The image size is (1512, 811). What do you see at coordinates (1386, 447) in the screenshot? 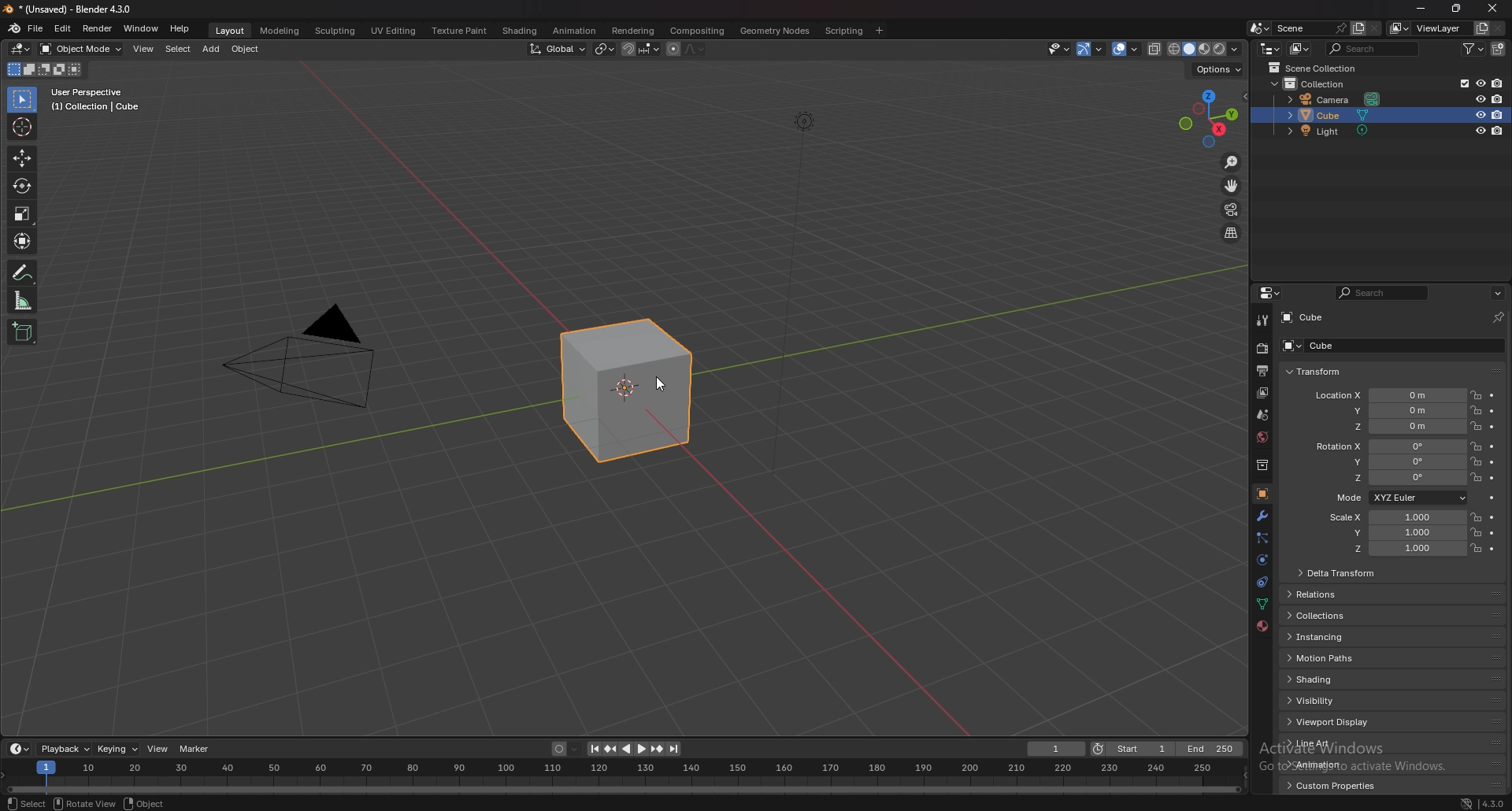
I see `rotation x` at bounding box center [1386, 447].